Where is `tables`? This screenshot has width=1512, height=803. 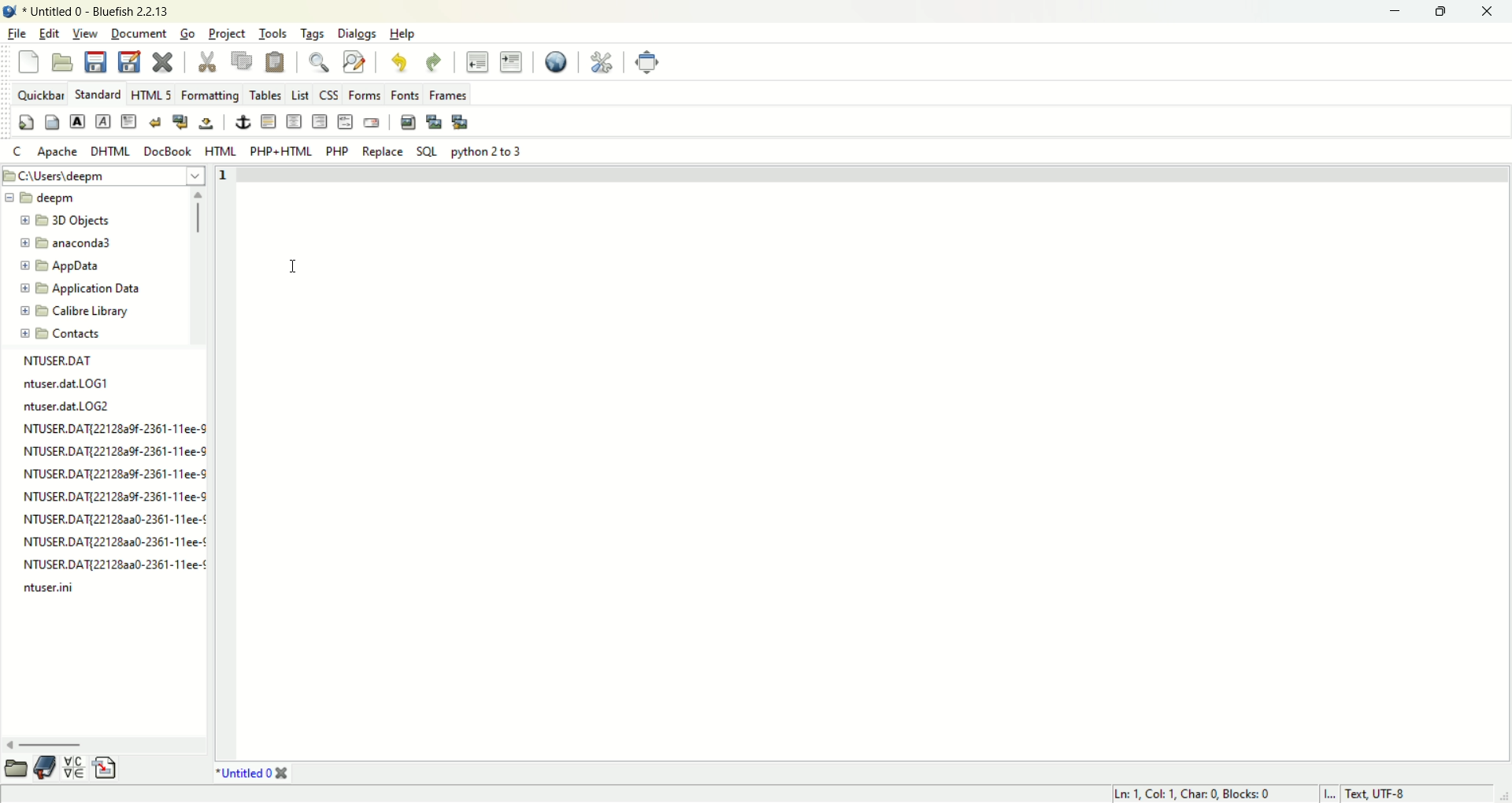 tables is located at coordinates (266, 95).